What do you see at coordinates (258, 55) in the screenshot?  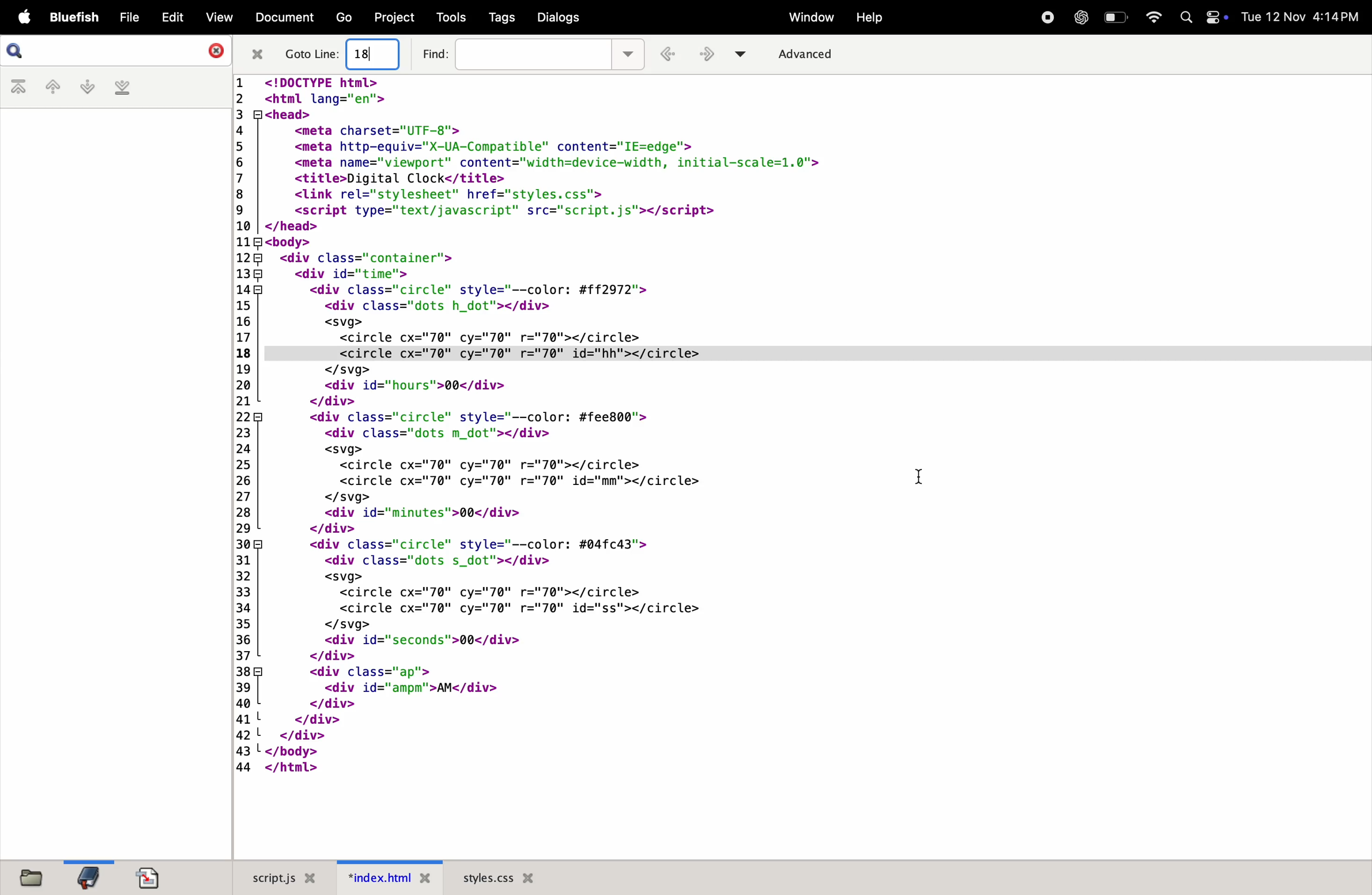 I see `close` at bounding box center [258, 55].